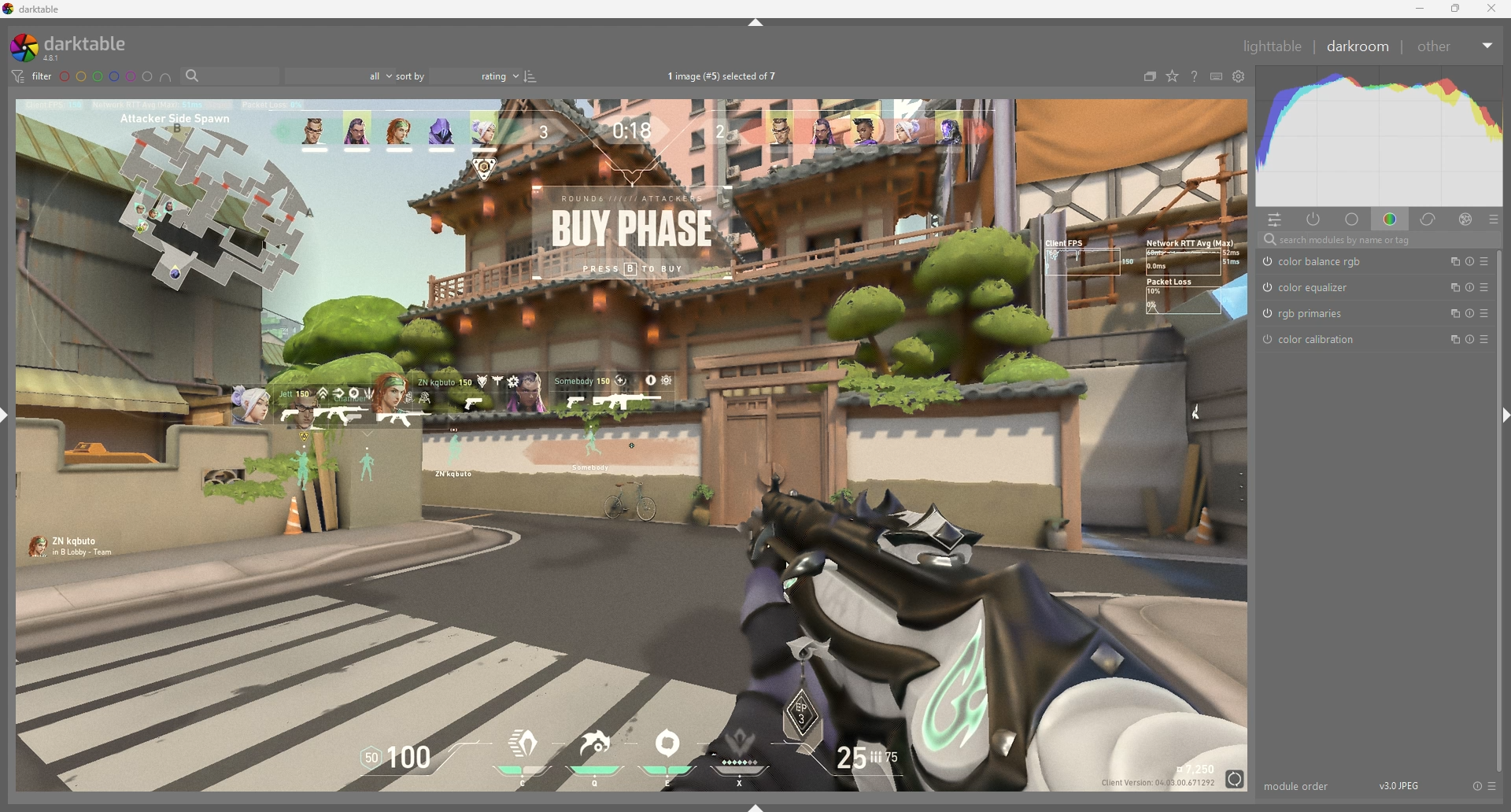 This screenshot has width=1511, height=812. Describe the element at coordinates (1273, 46) in the screenshot. I see `lighttable` at that location.